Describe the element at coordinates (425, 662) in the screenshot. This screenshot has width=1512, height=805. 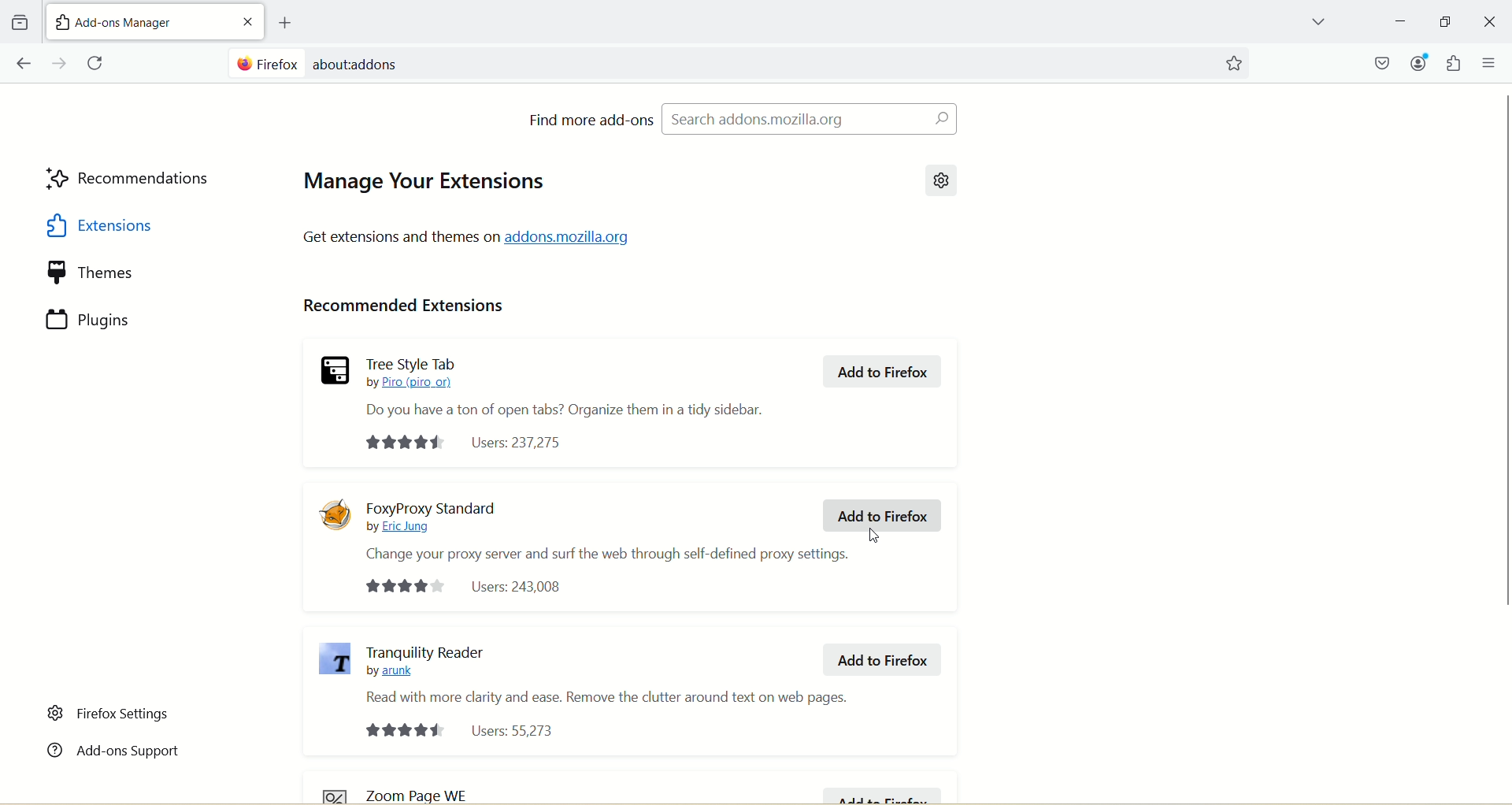
I see `oT Tranquility Reader
by arunk` at that location.